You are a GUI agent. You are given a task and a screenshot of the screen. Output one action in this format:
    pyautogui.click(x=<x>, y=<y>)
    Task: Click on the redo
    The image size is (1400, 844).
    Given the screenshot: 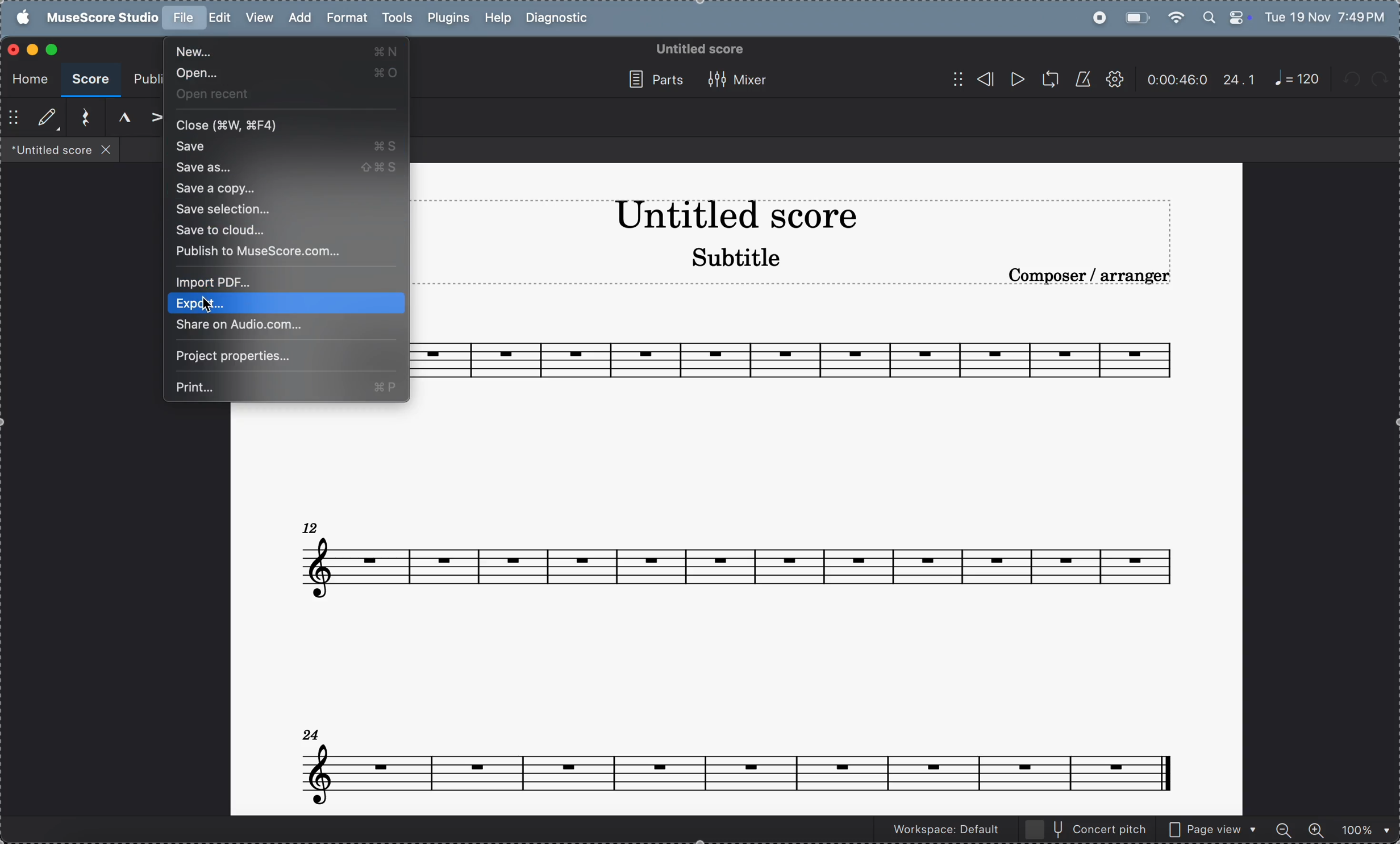 What is the action you would take?
    pyautogui.click(x=1386, y=80)
    